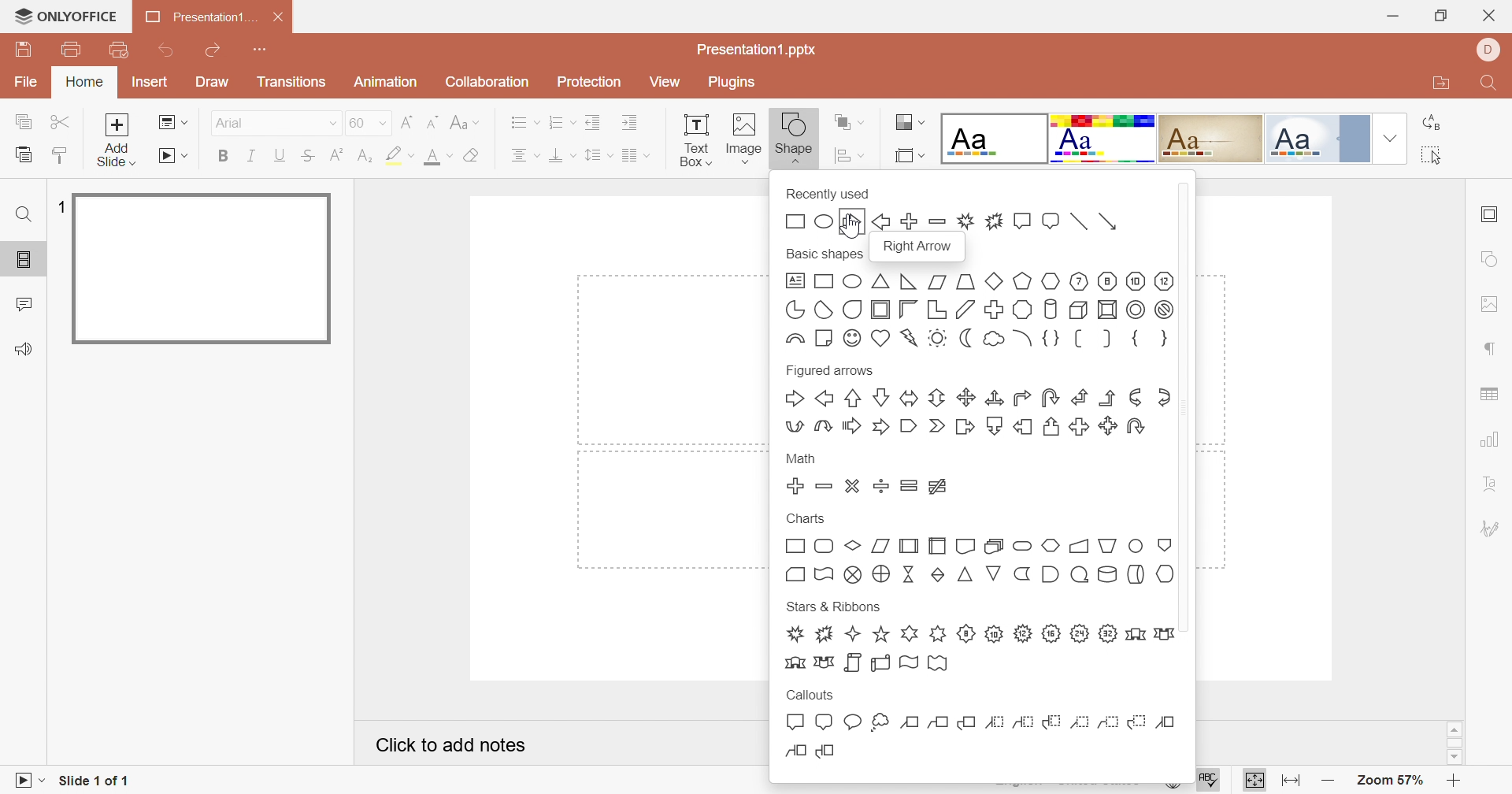  Describe the element at coordinates (57, 206) in the screenshot. I see `1` at that location.